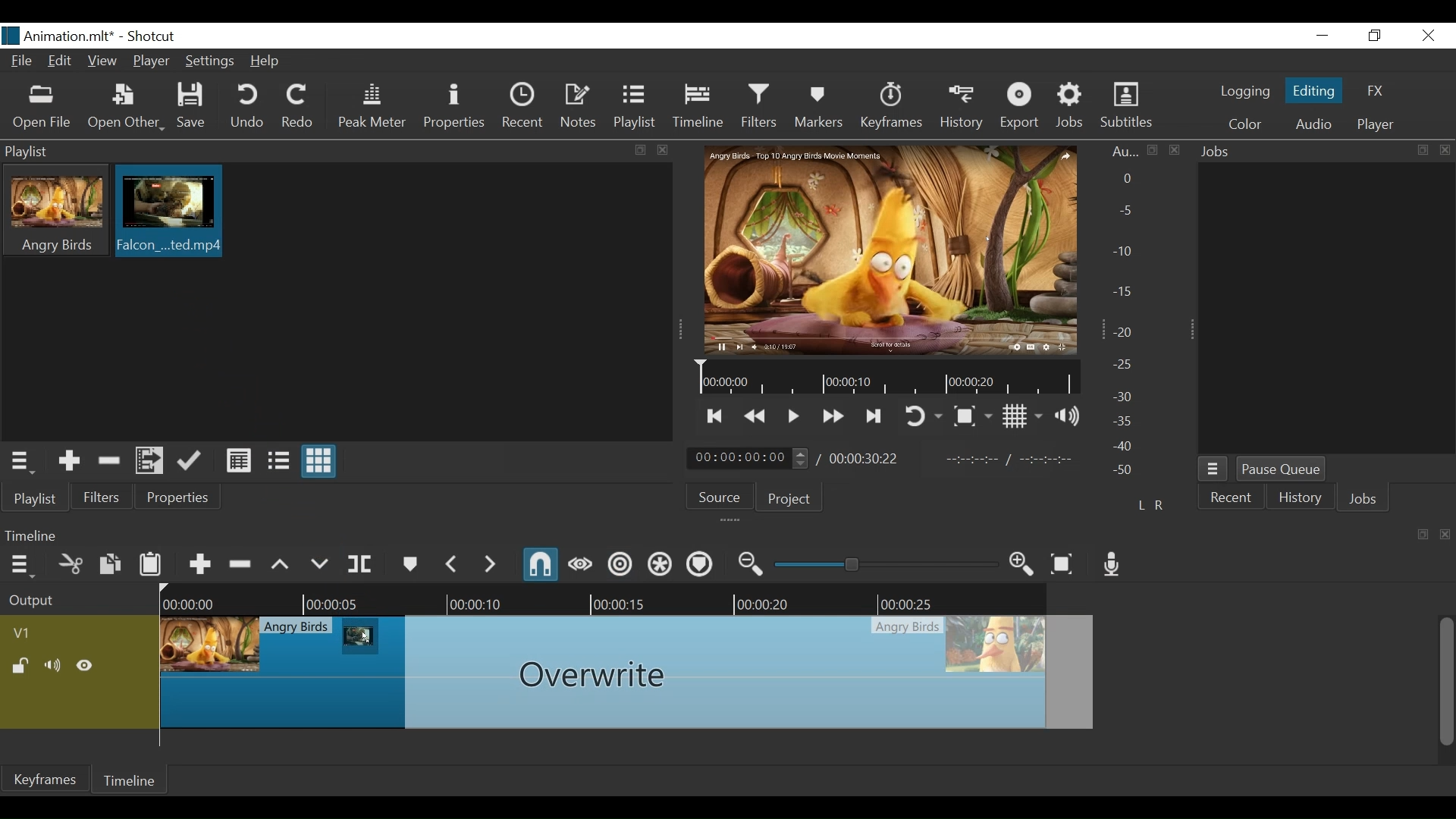 The image size is (1456, 819). Describe the element at coordinates (922, 418) in the screenshot. I see `Toggle player looping` at that location.